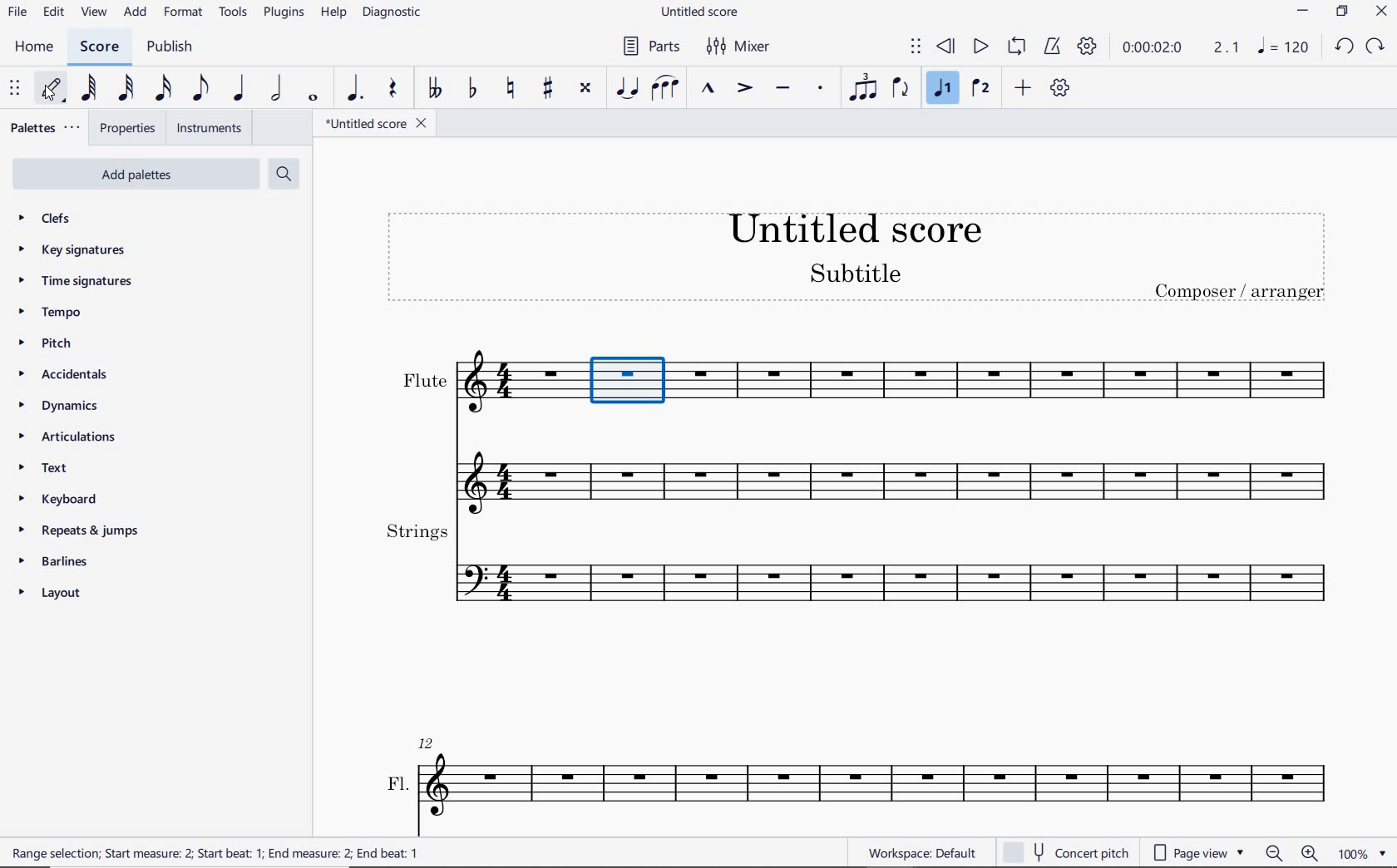 The width and height of the screenshot is (1397, 868). What do you see at coordinates (163, 88) in the screenshot?
I see `16TH NOTE` at bounding box center [163, 88].